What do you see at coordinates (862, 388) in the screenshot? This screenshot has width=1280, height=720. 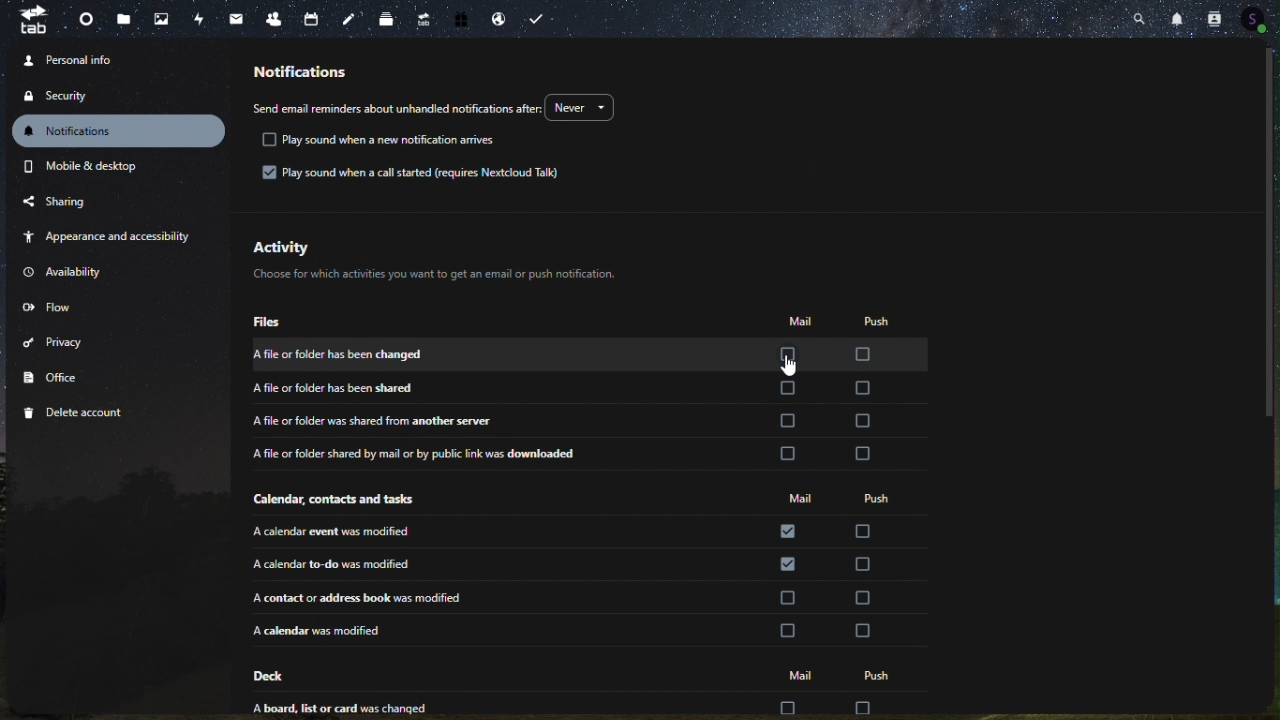 I see `check box` at bounding box center [862, 388].